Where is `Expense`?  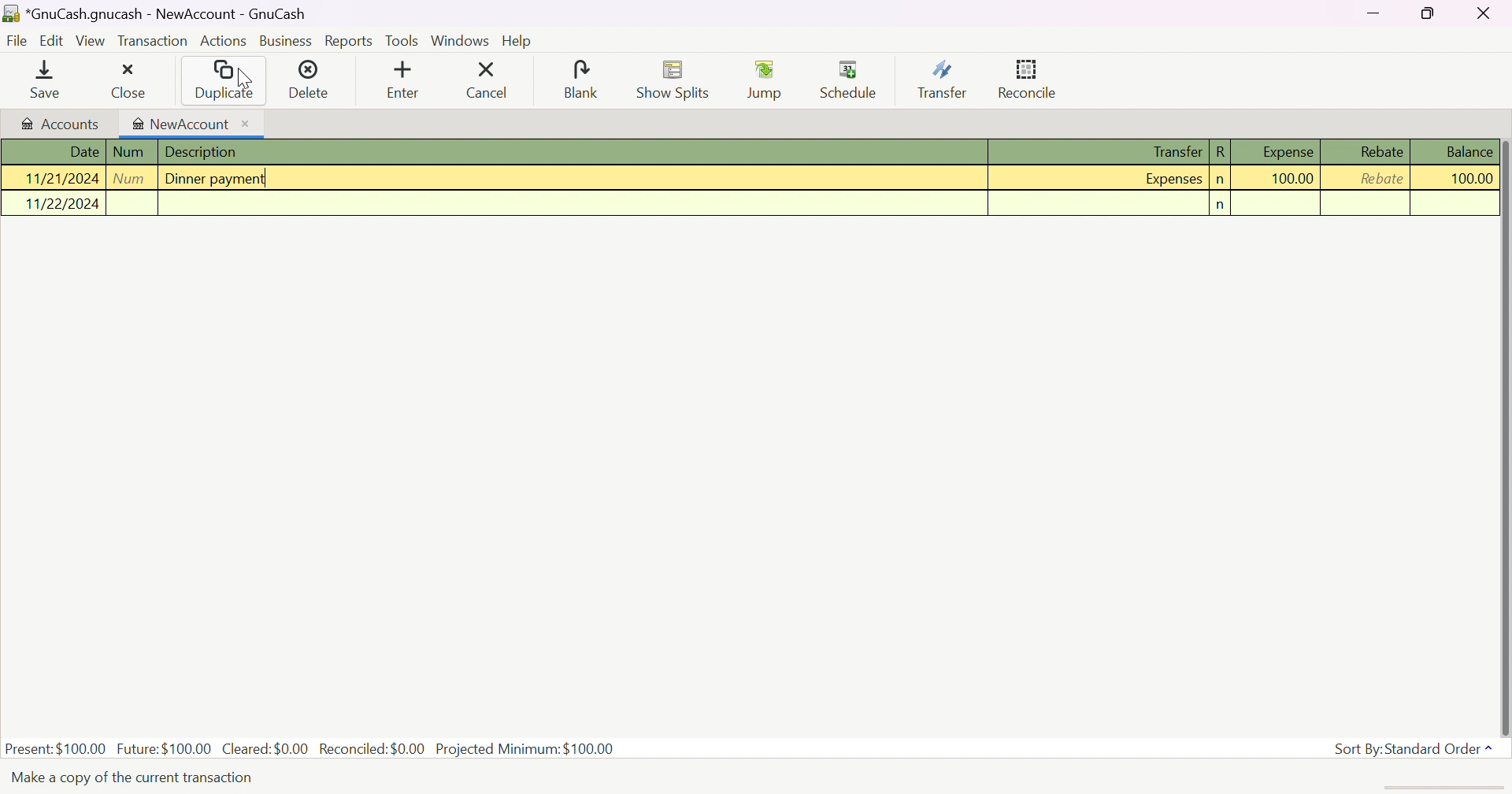
Expense is located at coordinates (1287, 151).